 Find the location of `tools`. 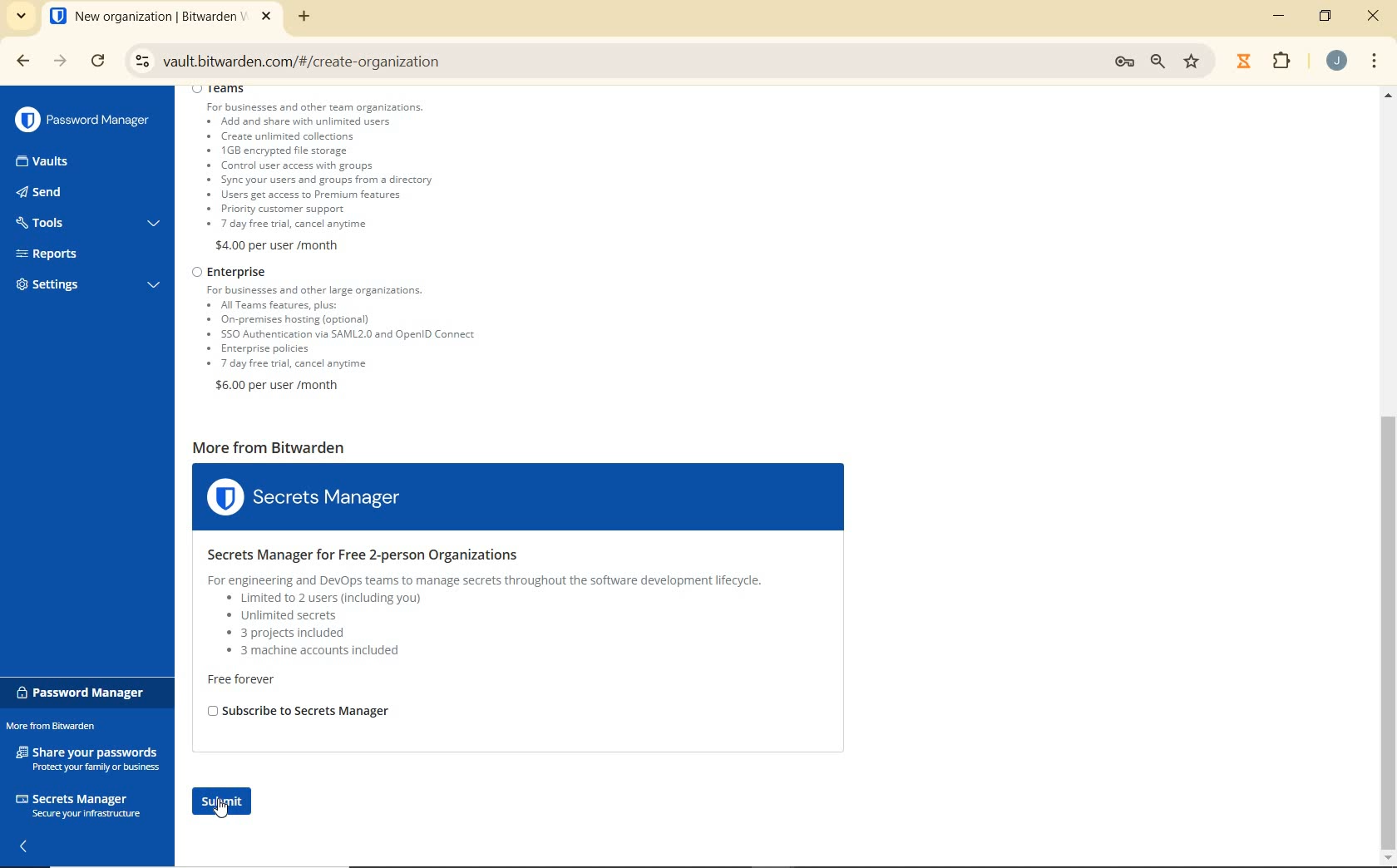

tools is located at coordinates (86, 224).